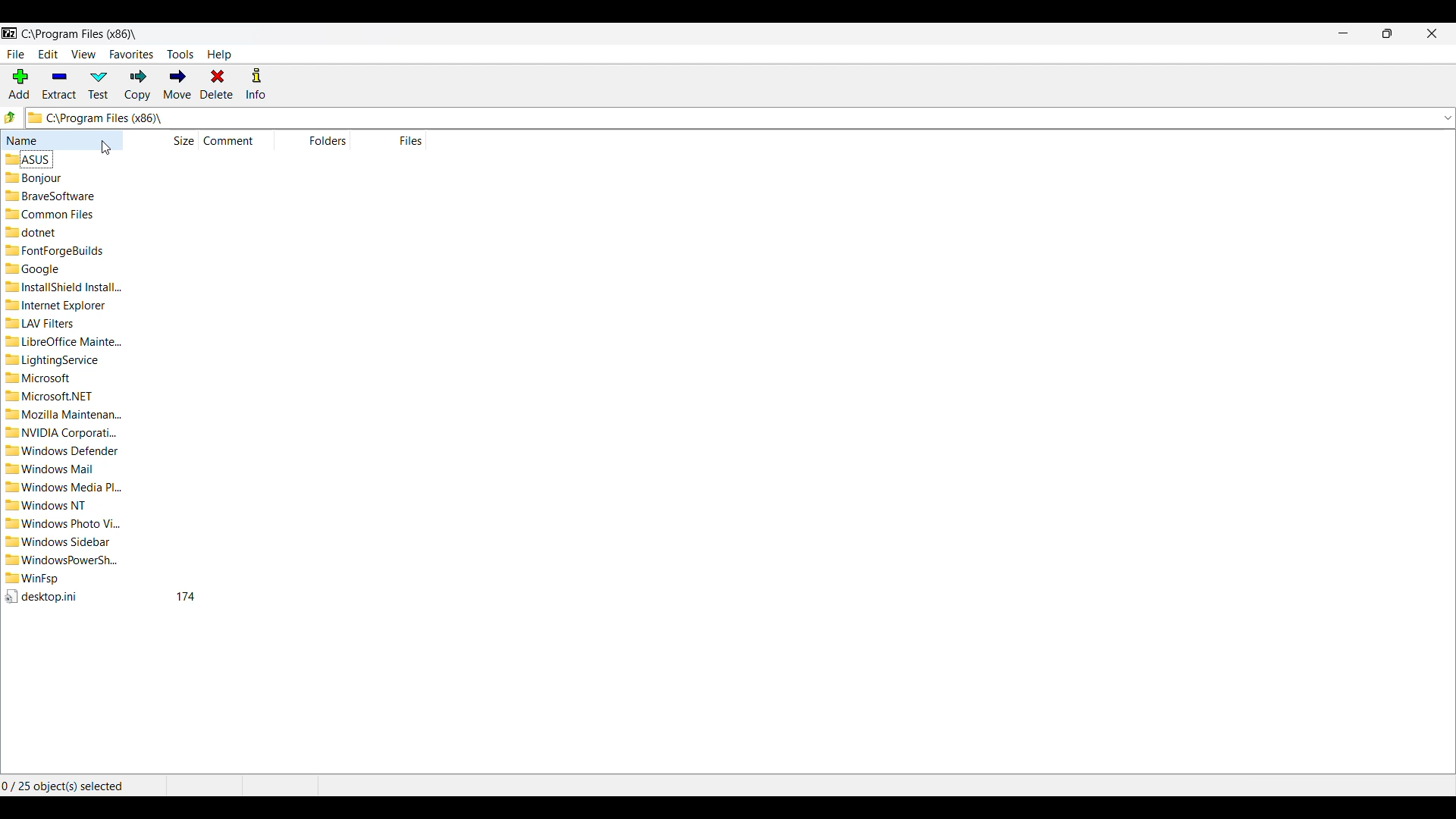  What do you see at coordinates (43, 596) in the screenshot?
I see `desktop.ini` at bounding box center [43, 596].